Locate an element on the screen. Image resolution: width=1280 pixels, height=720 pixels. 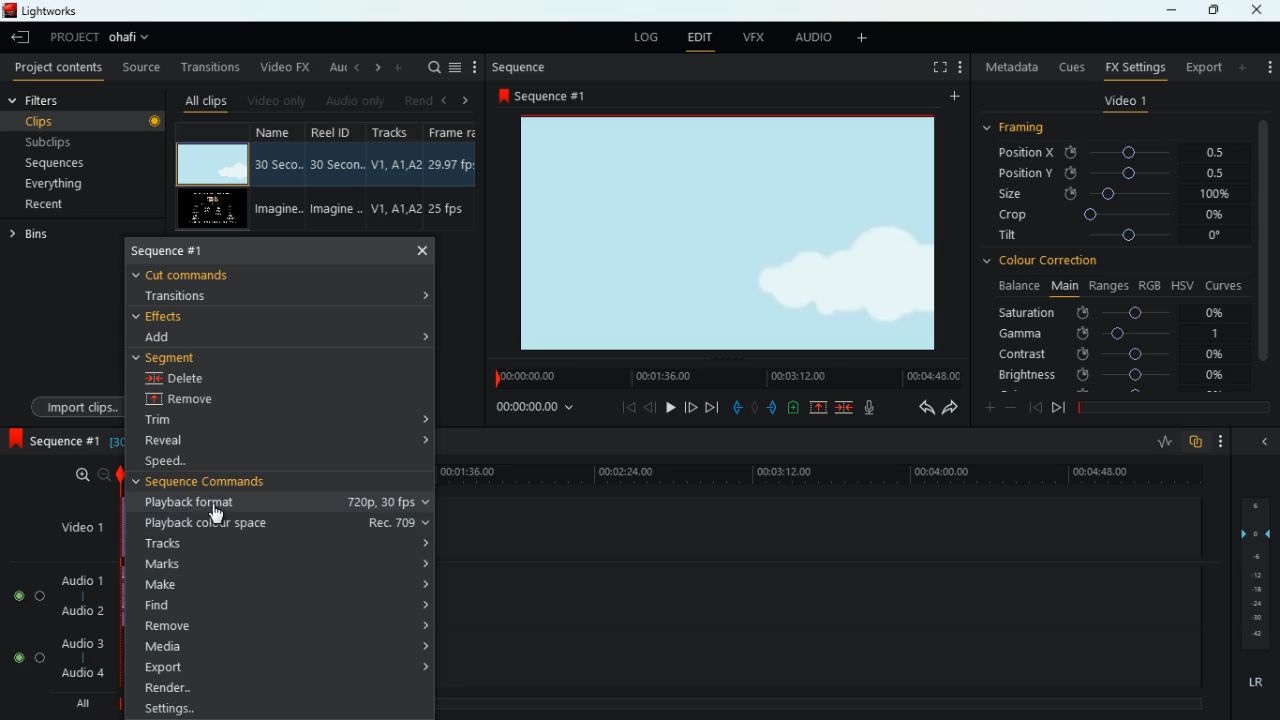
audio 1 is located at coordinates (81, 579).